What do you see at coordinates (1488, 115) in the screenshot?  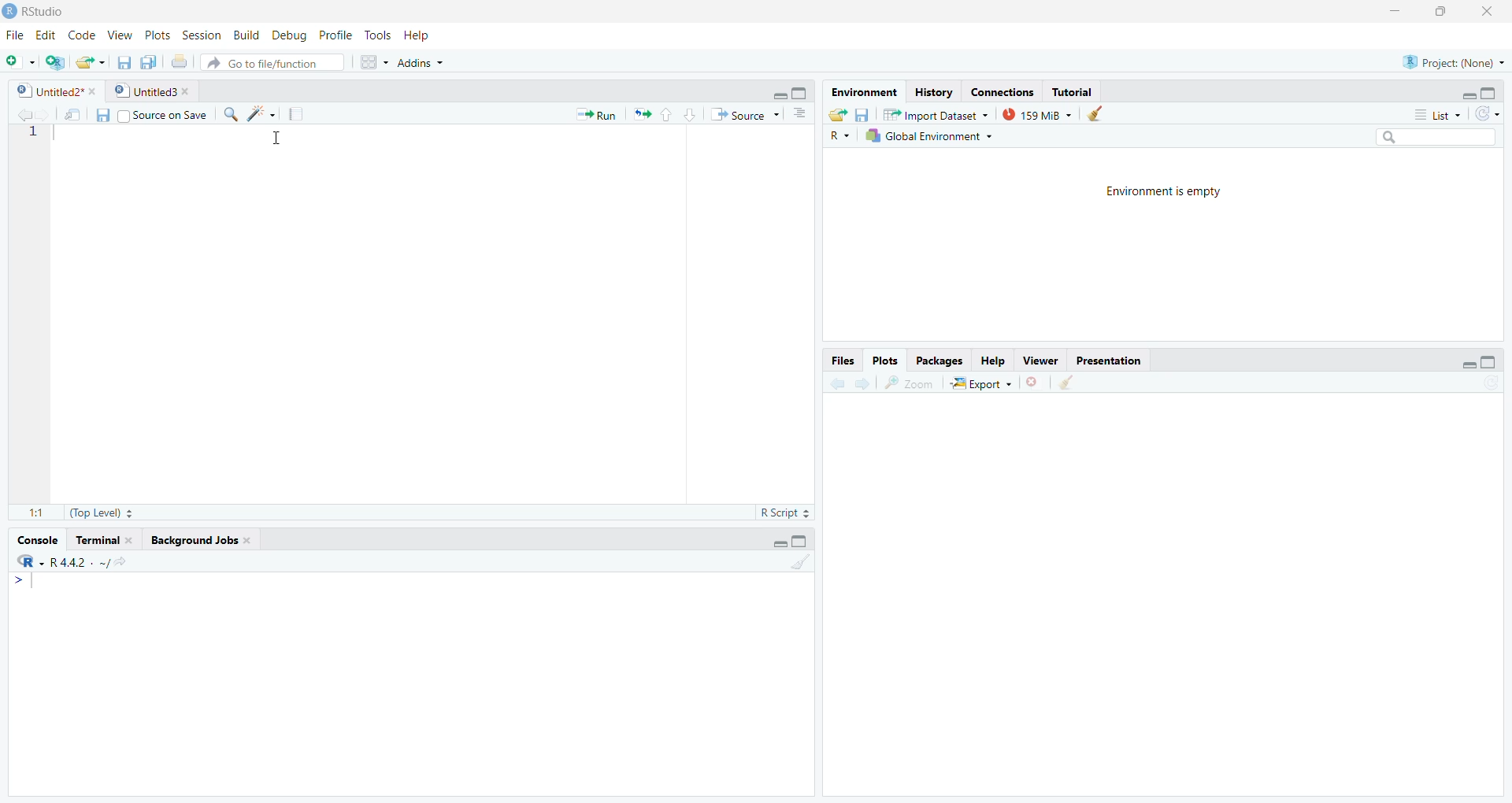 I see `Refresh` at bounding box center [1488, 115].